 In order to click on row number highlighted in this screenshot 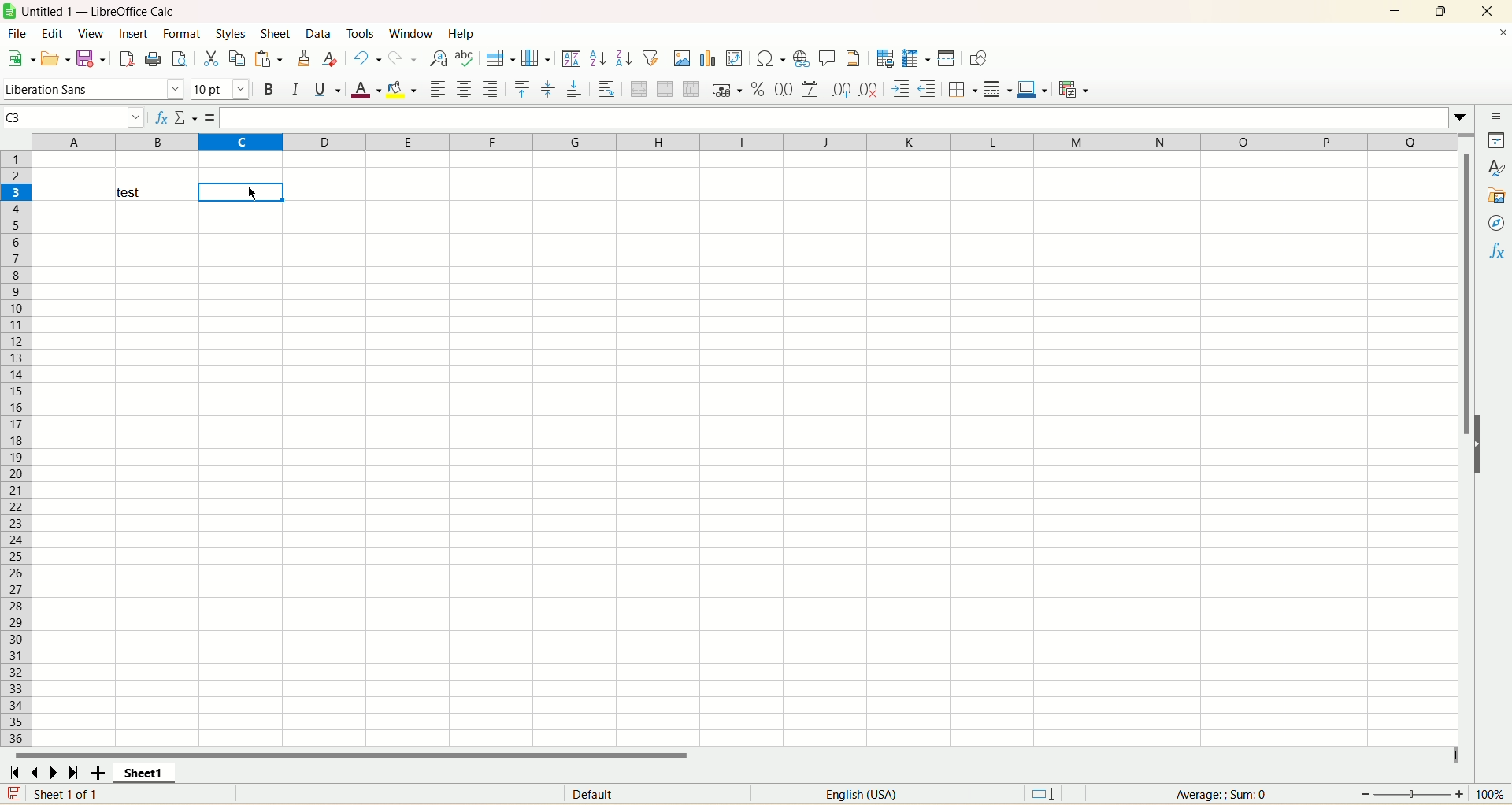, I will do `click(16, 193)`.